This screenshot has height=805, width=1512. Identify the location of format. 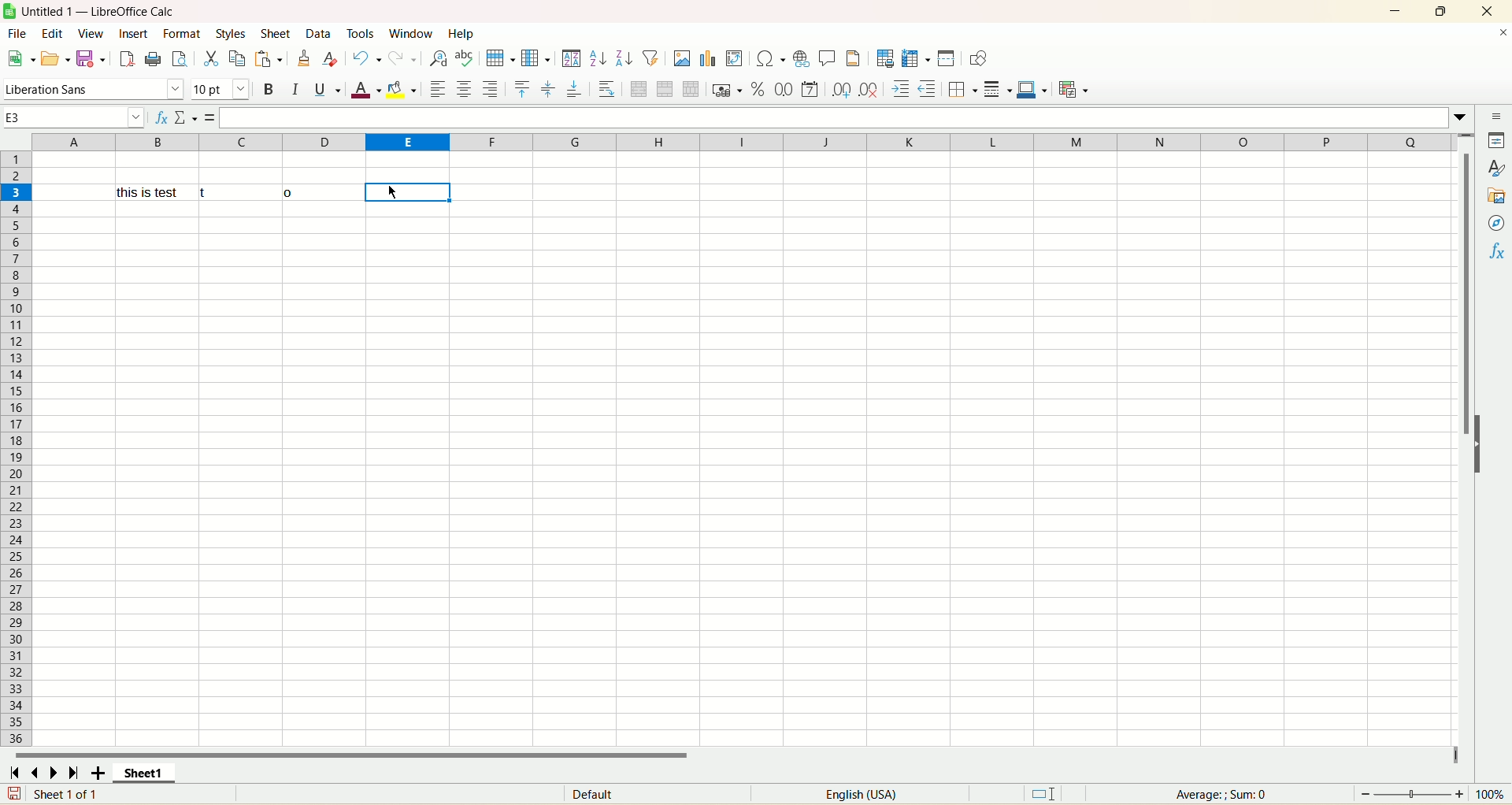
(181, 35).